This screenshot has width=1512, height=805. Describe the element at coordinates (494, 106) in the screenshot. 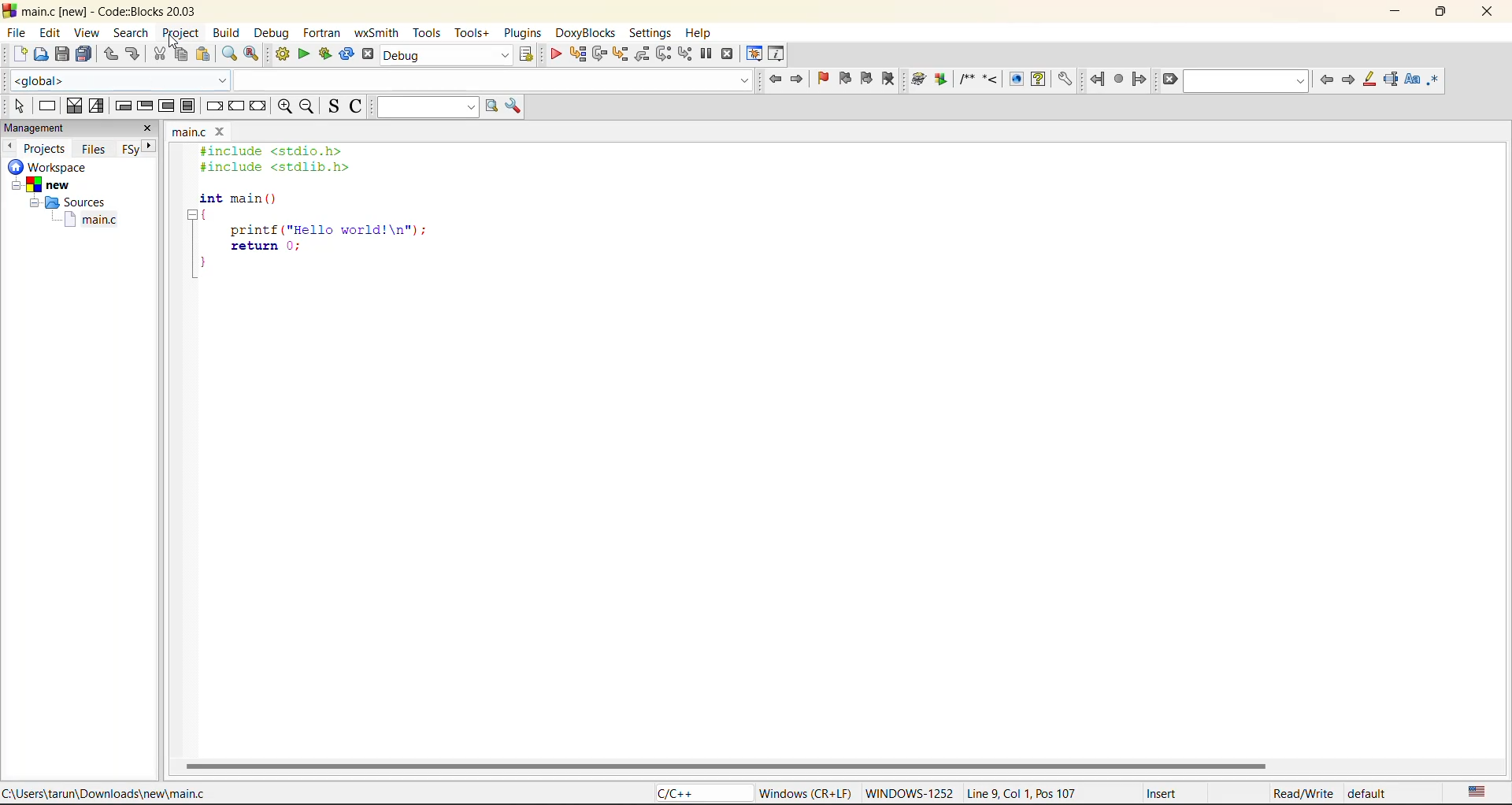

I see `run search` at that location.